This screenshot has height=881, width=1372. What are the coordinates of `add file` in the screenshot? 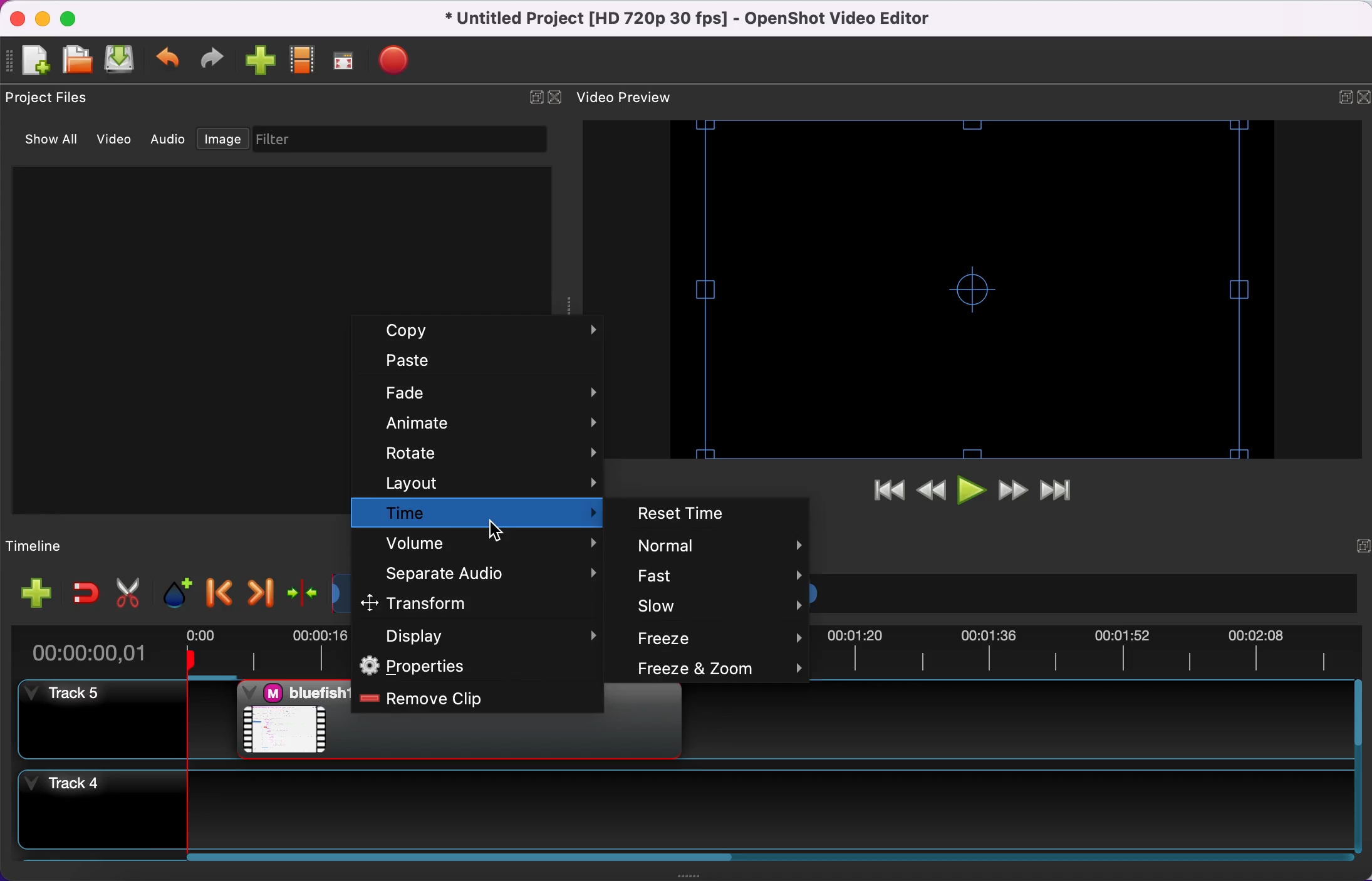 It's located at (33, 61).